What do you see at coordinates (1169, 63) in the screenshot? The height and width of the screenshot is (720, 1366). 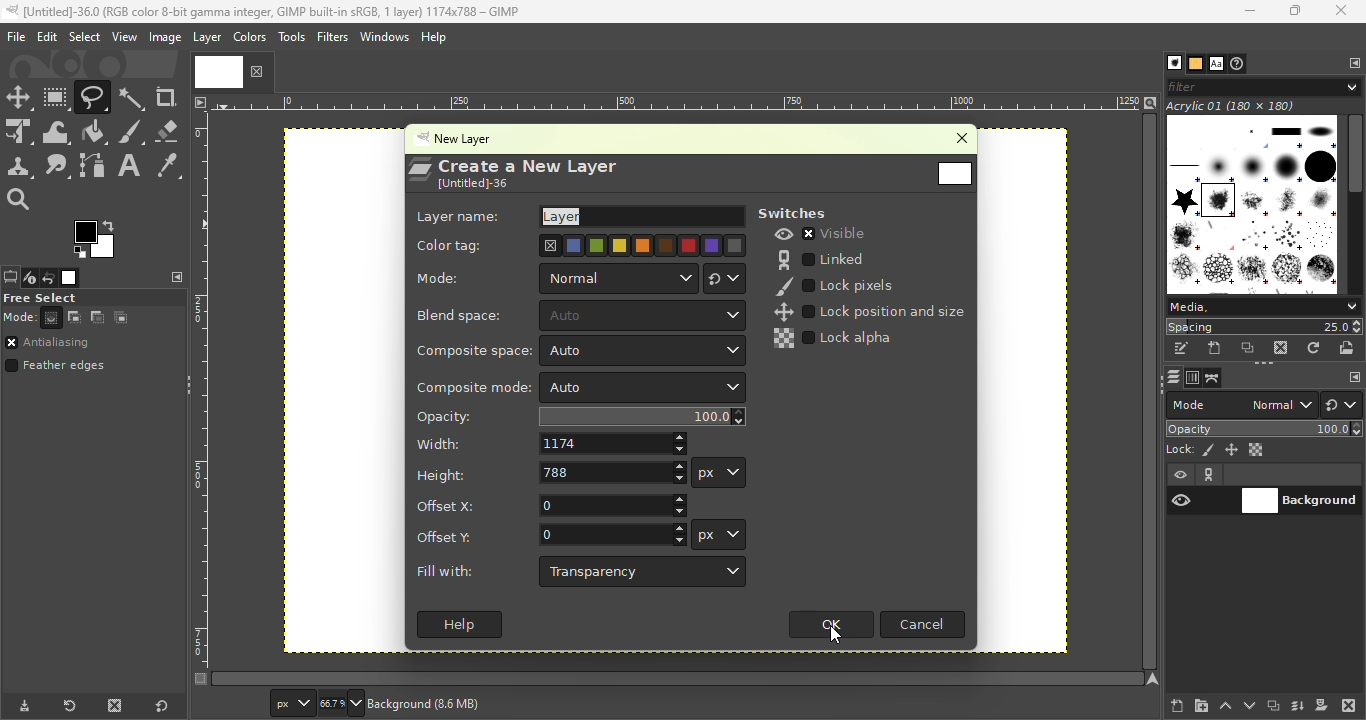 I see `Brushes` at bounding box center [1169, 63].